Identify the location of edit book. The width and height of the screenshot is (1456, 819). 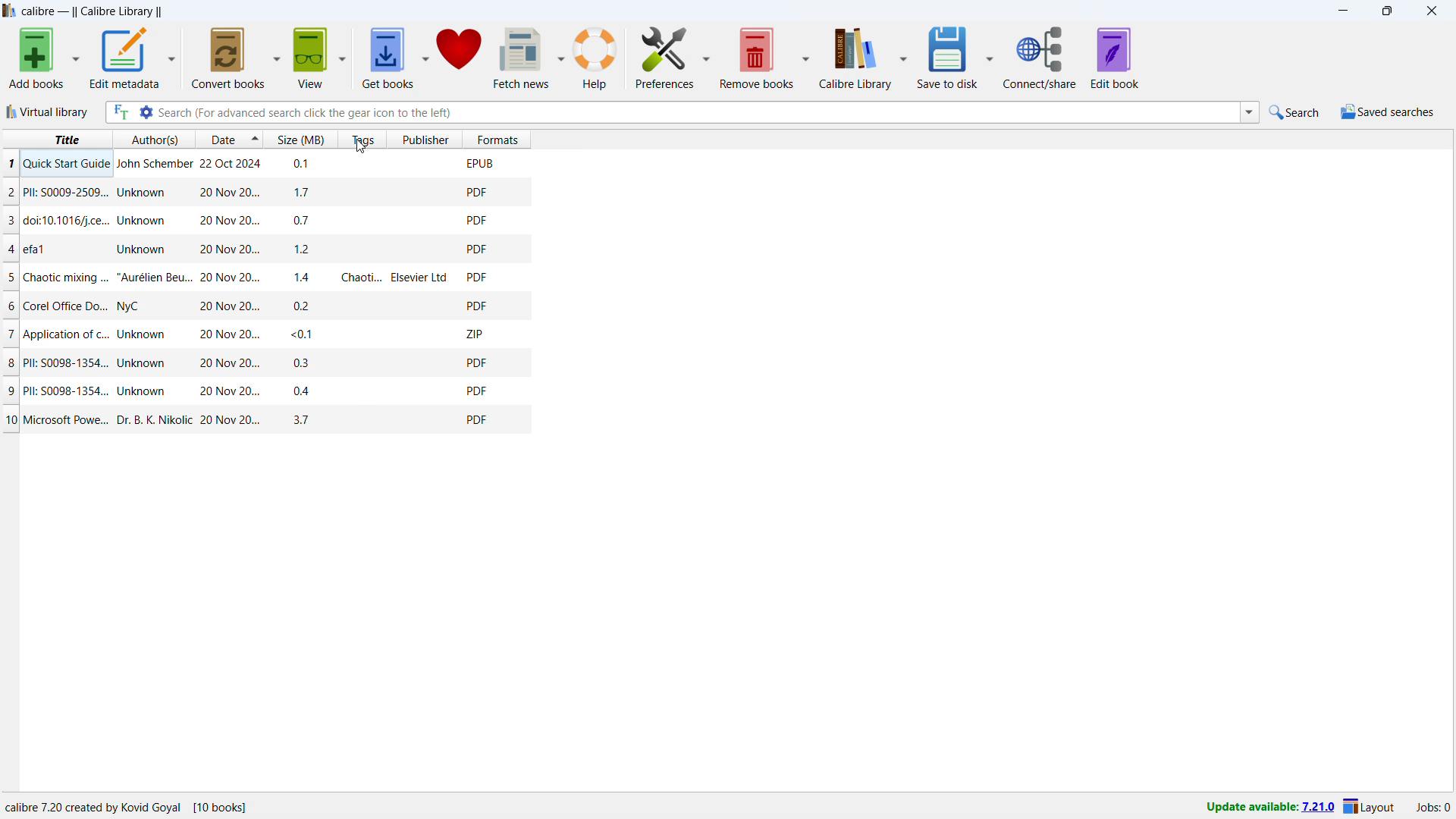
(1115, 58).